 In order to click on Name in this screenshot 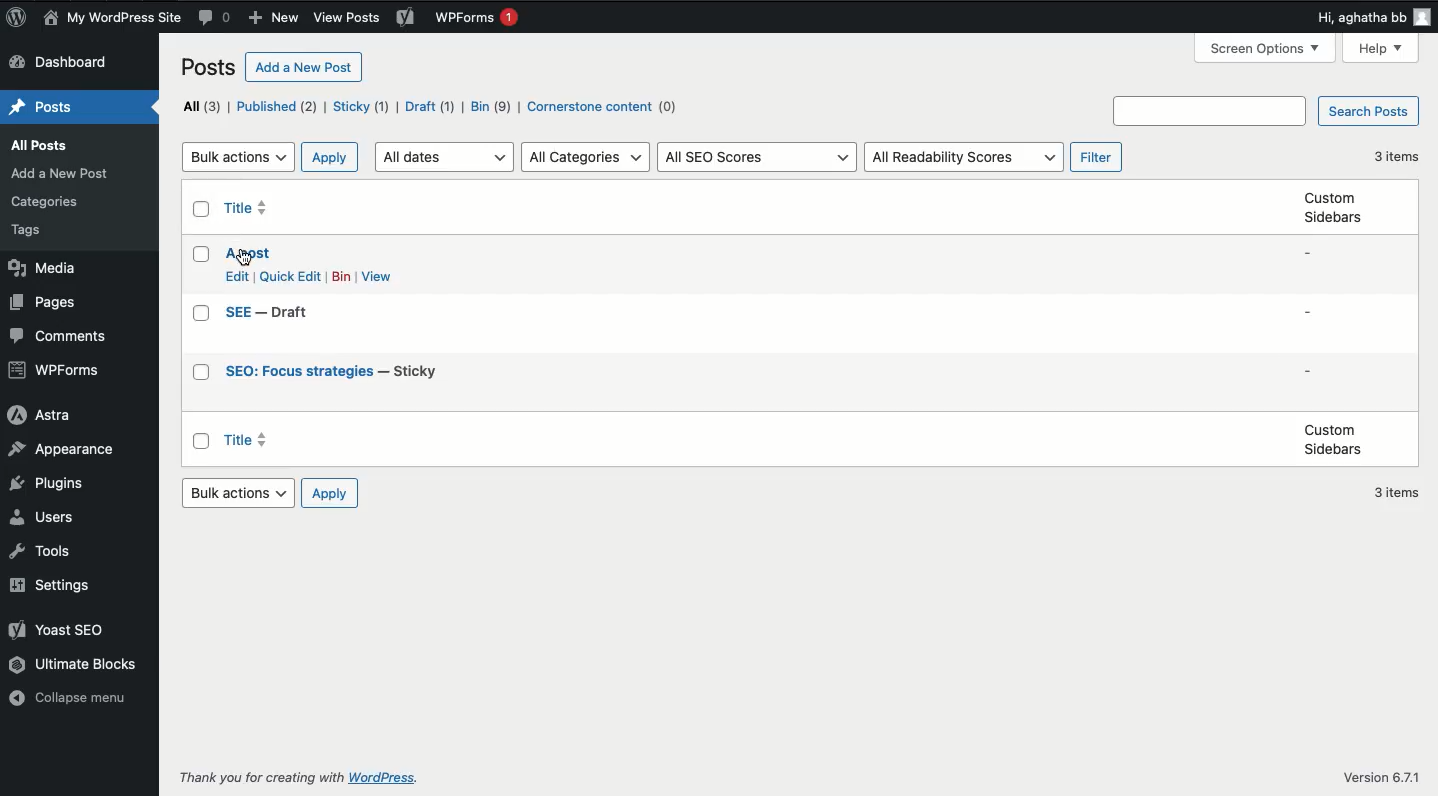, I will do `click(115, 19)`.